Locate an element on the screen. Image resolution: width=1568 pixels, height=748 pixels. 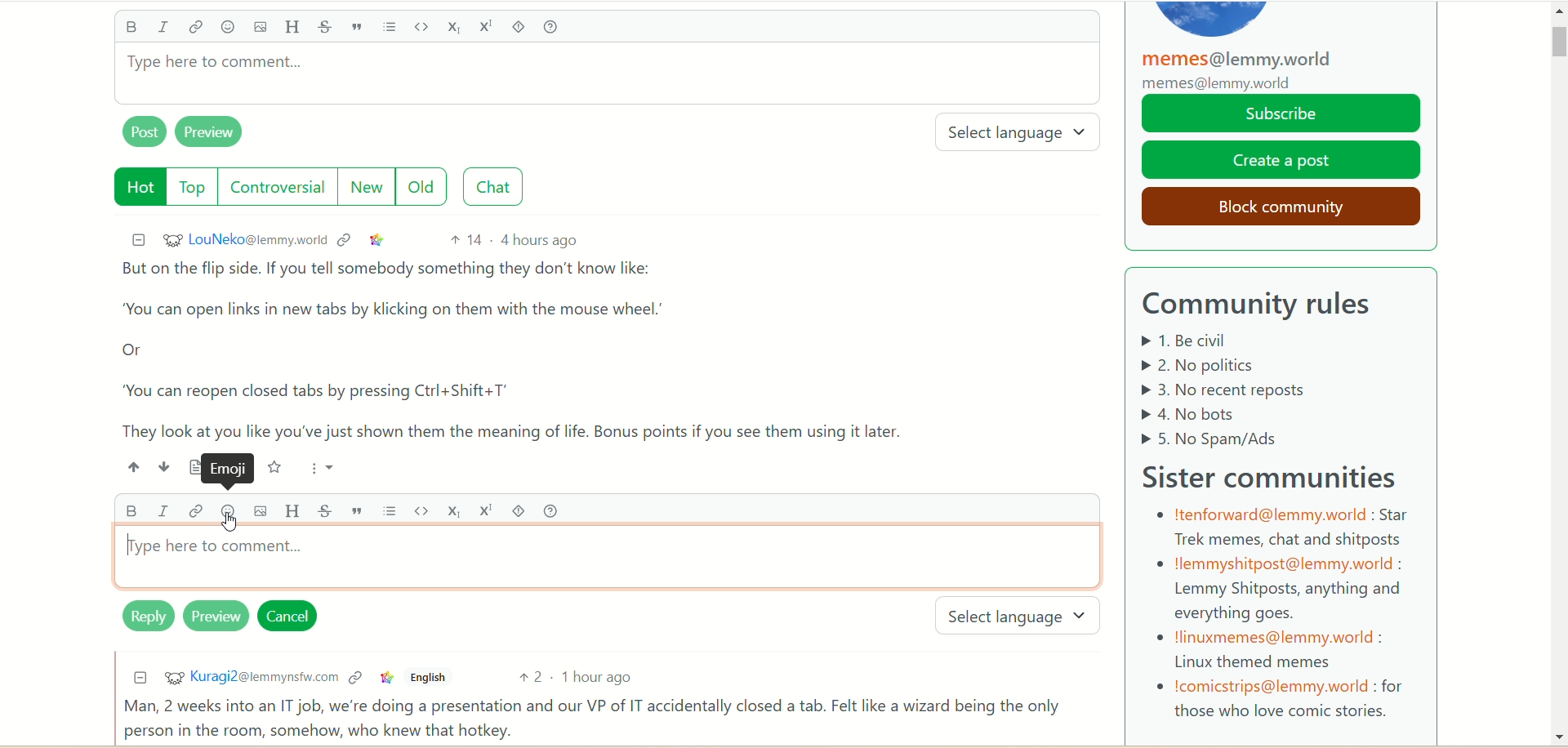
4 hours ago (post date) is located at coordinates (541, 239).